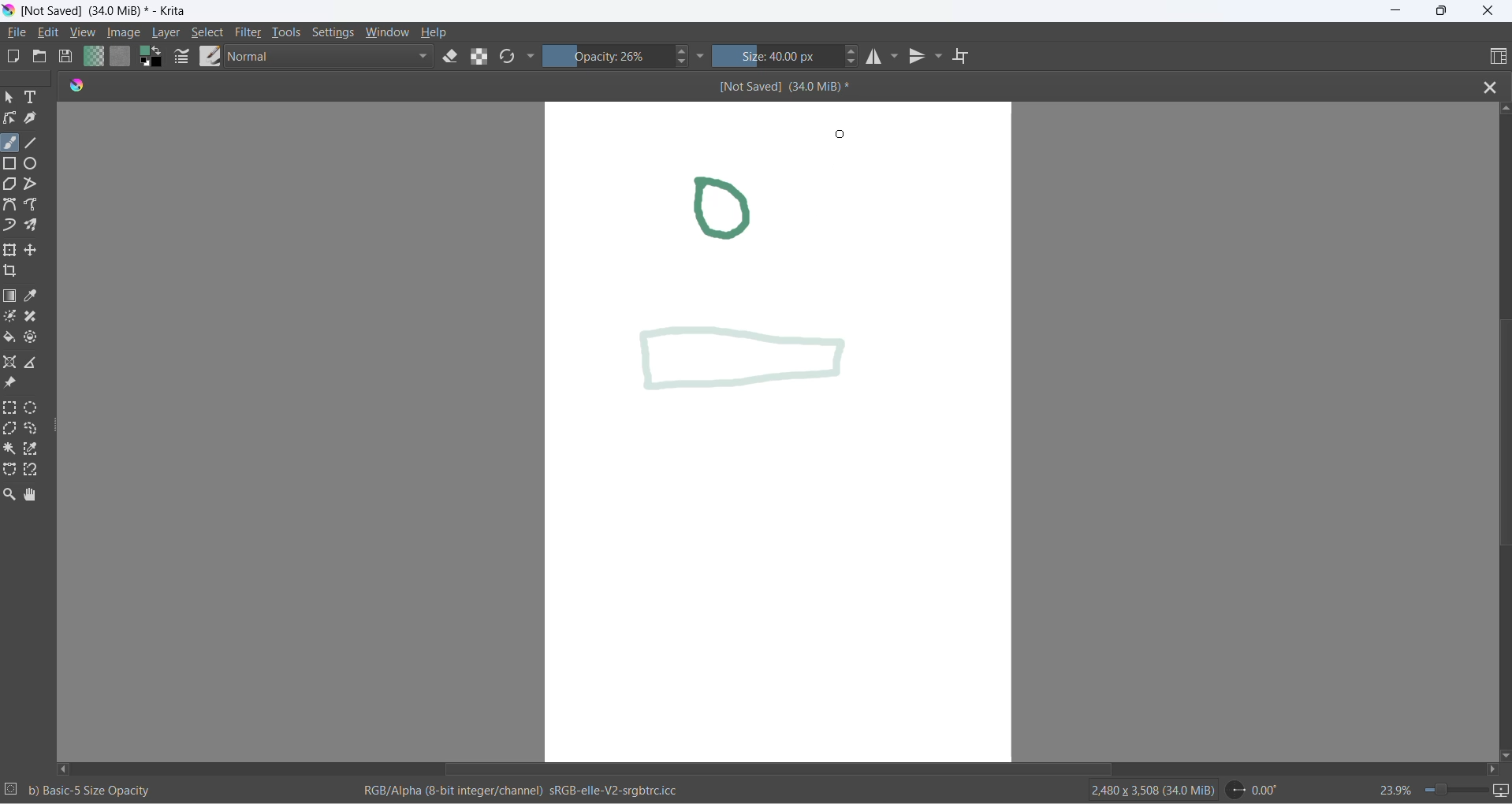 The image size is (1512, 804). What do you see at coordinates (611, 58) in the screenshot?
I see `opacity percentange` at bounding box center [611, 58].